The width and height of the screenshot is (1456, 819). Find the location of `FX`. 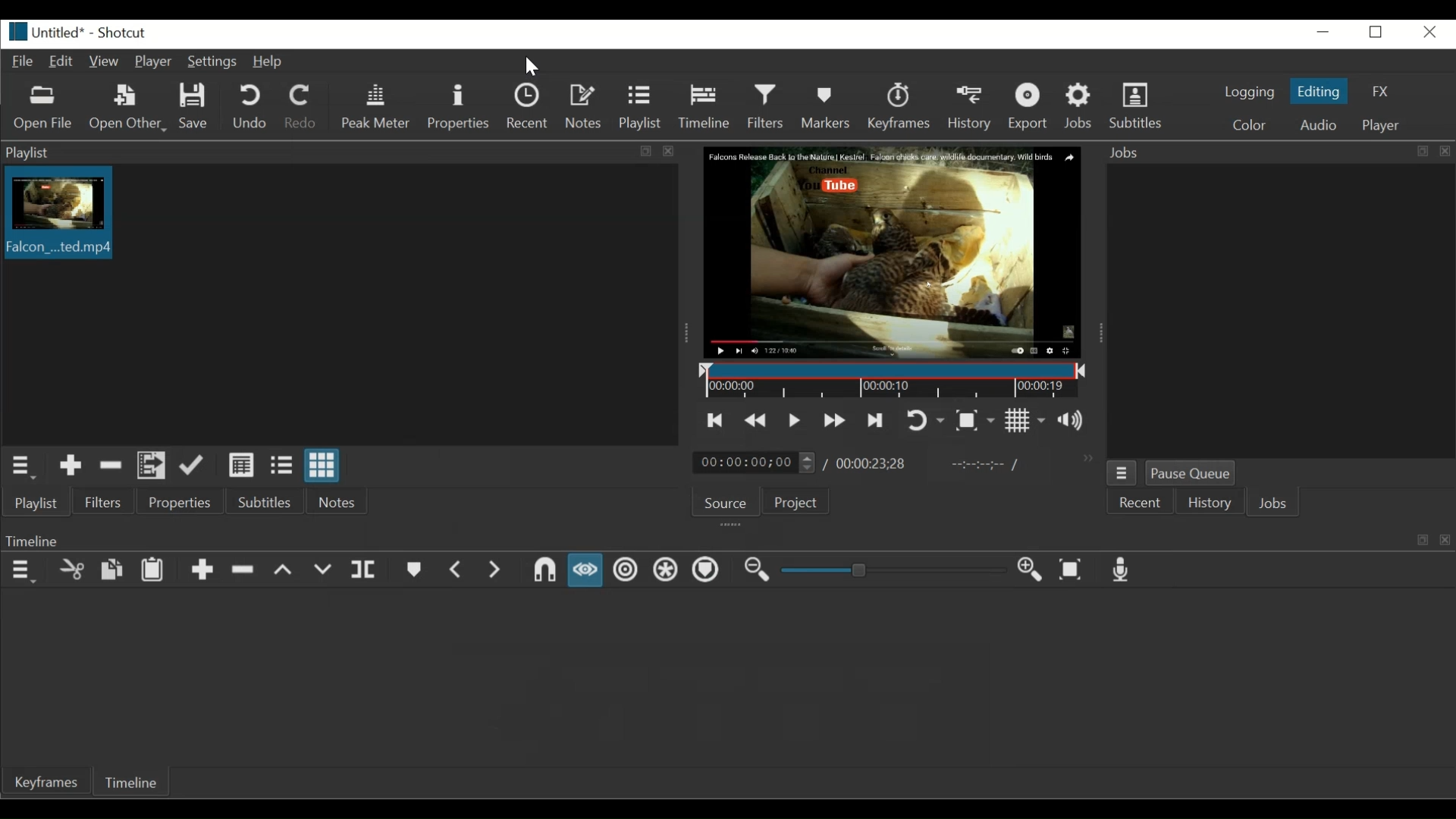

FX is located at coordinates (1381, 91).